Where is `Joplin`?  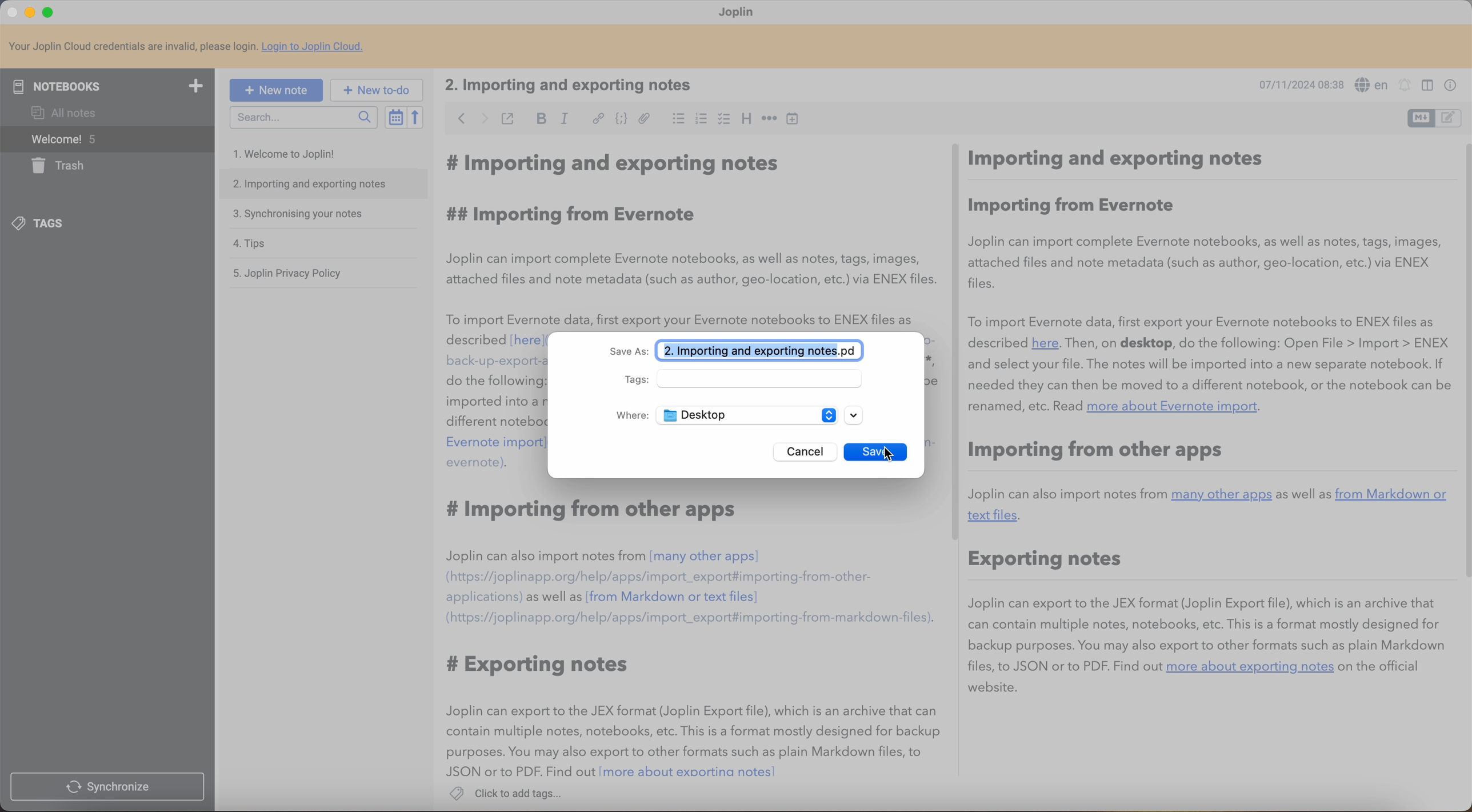
Joplin is located at coordinates (739, 13).